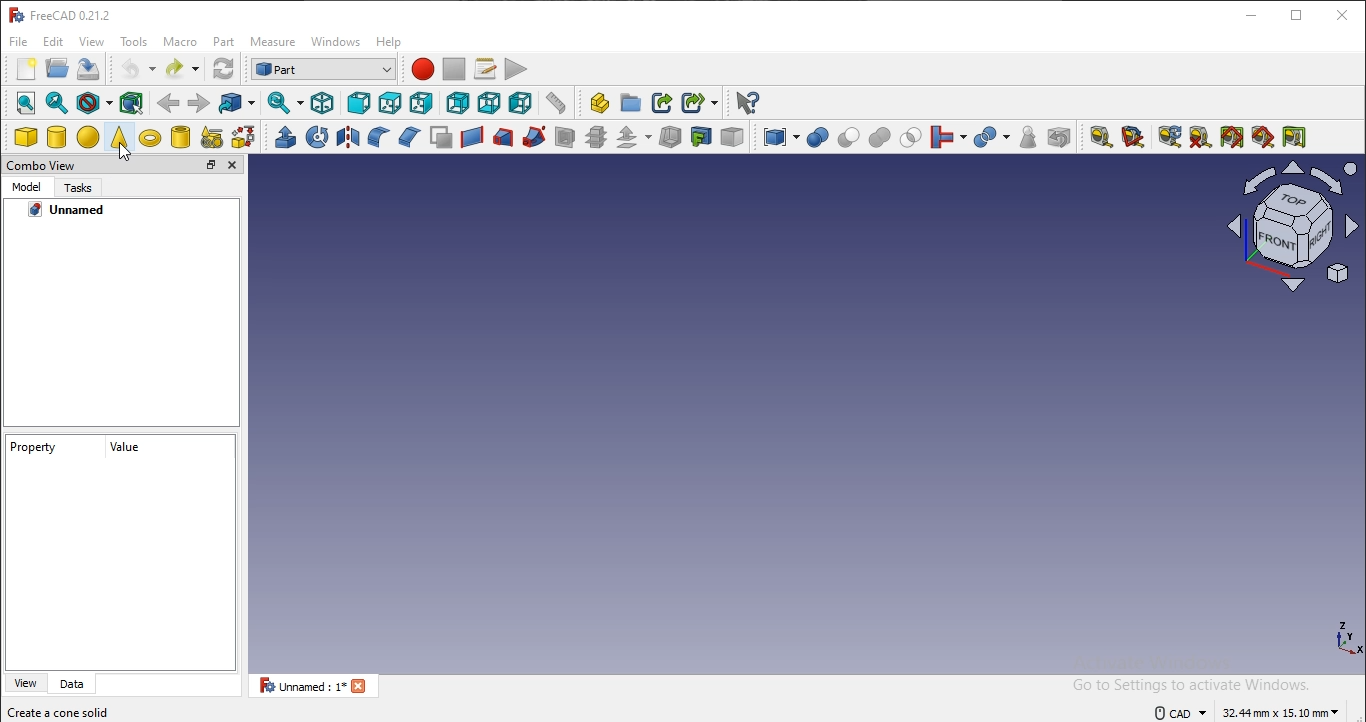 The width and height of the screenshot is (1366, 722). What do you see at coordinates (179, 136) in the screenshot?
I see `create tube` at bounding box center [179, 136].